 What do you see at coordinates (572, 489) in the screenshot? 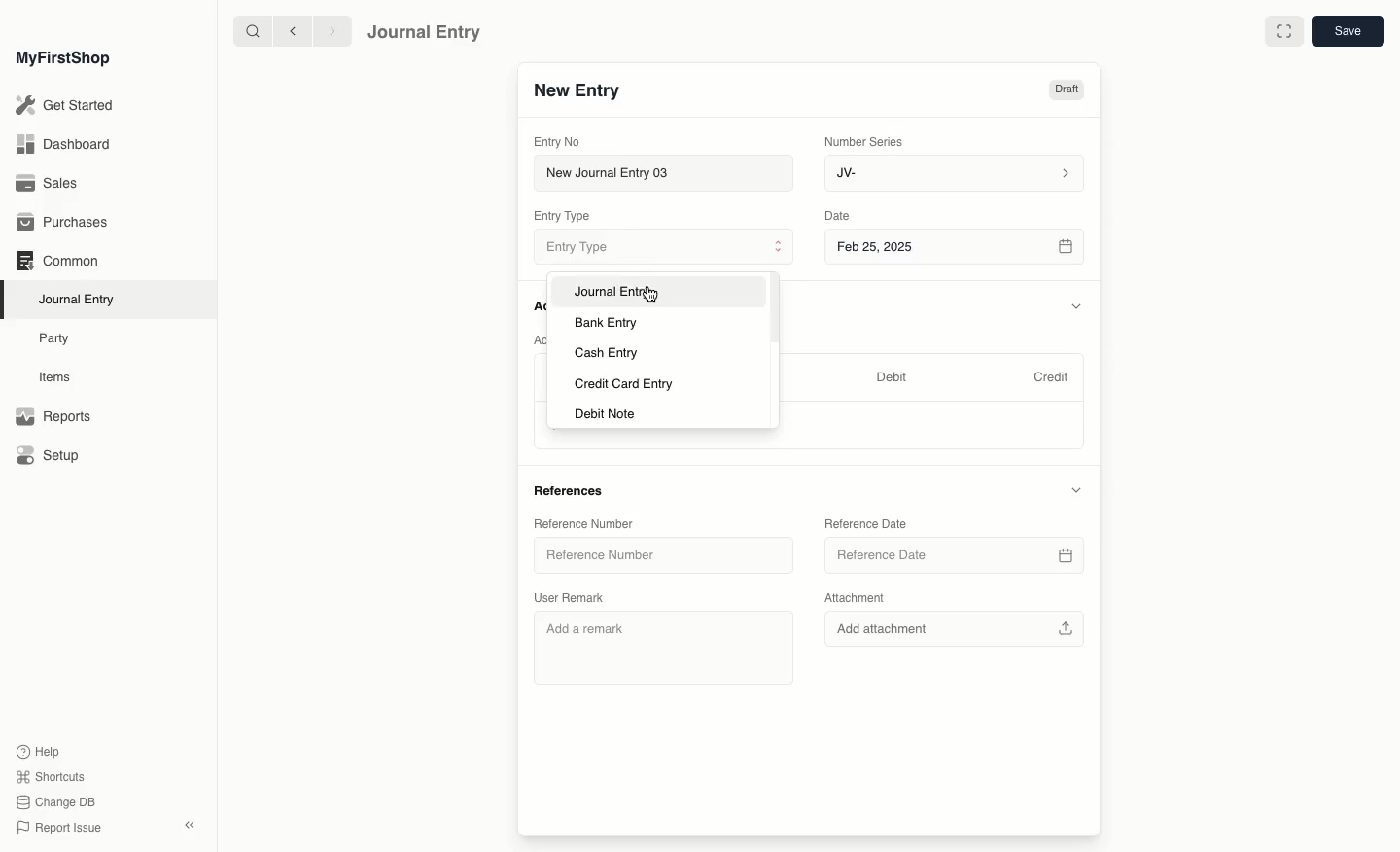
I see `References` at bounding box center [572, 489].